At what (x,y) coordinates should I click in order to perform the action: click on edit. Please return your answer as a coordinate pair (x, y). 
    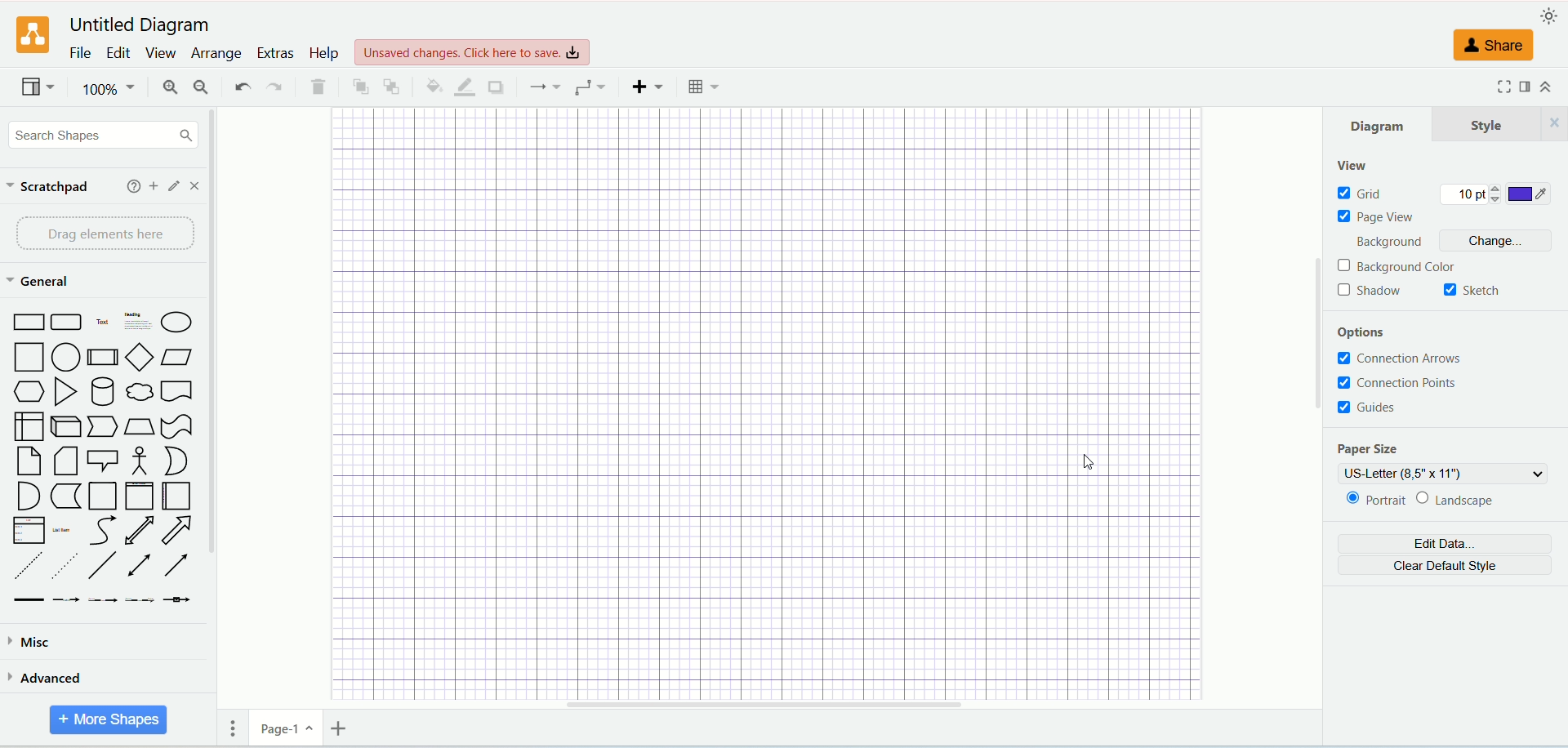
    Looking at the image, I should click on (176, 186).